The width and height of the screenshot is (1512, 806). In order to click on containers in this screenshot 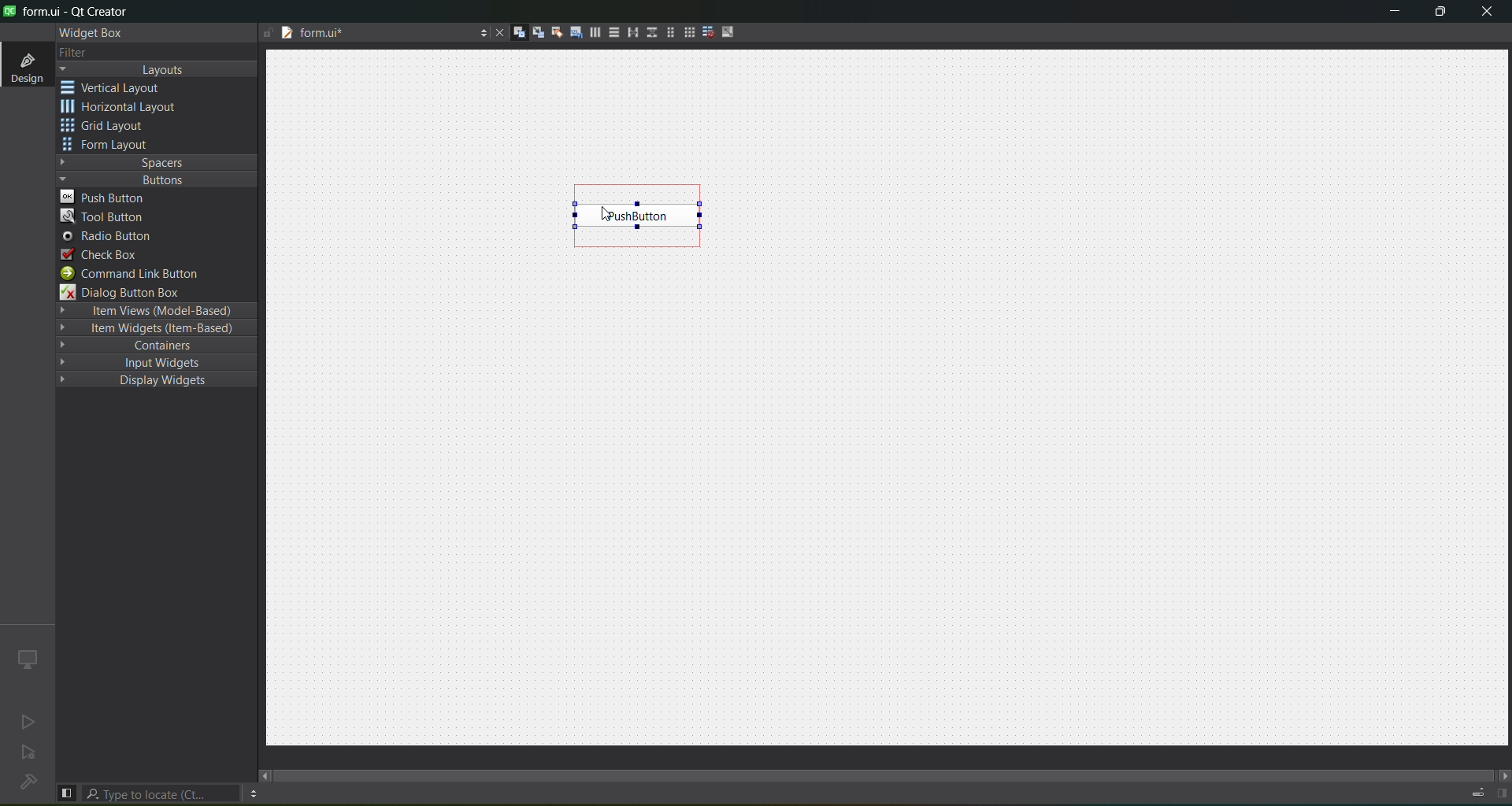, I will do `click(159, 347)`.